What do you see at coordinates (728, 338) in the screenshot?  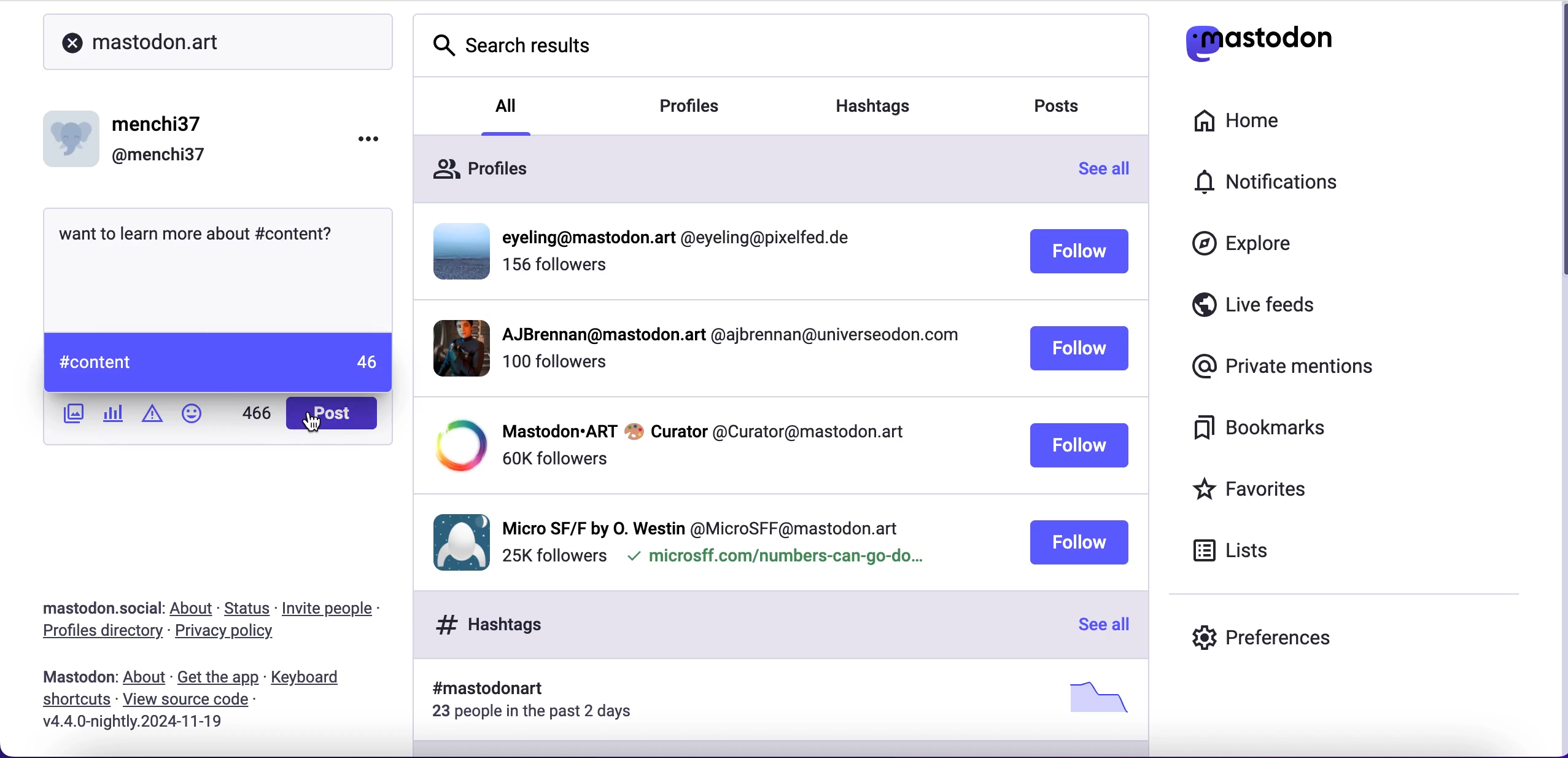 I see `profile` at bounding box center [728, 338].